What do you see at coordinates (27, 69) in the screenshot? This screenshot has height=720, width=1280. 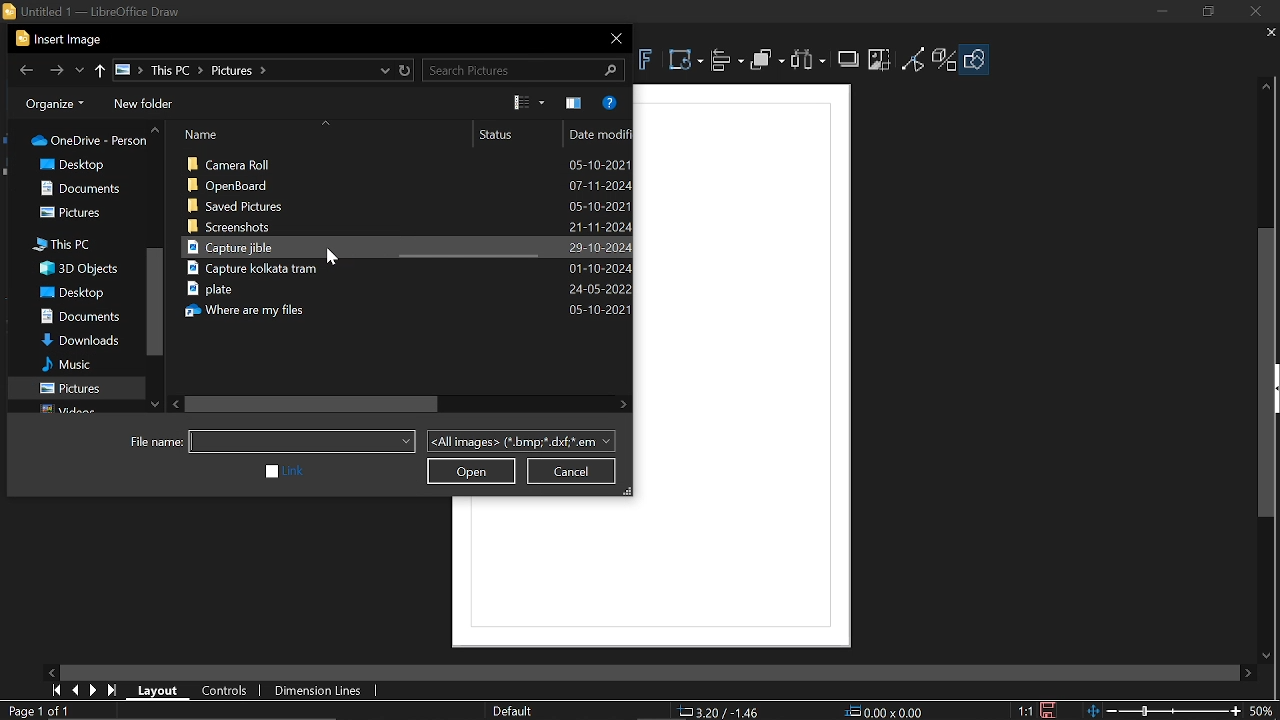 I see `Back` at bounding box center [27, 69].